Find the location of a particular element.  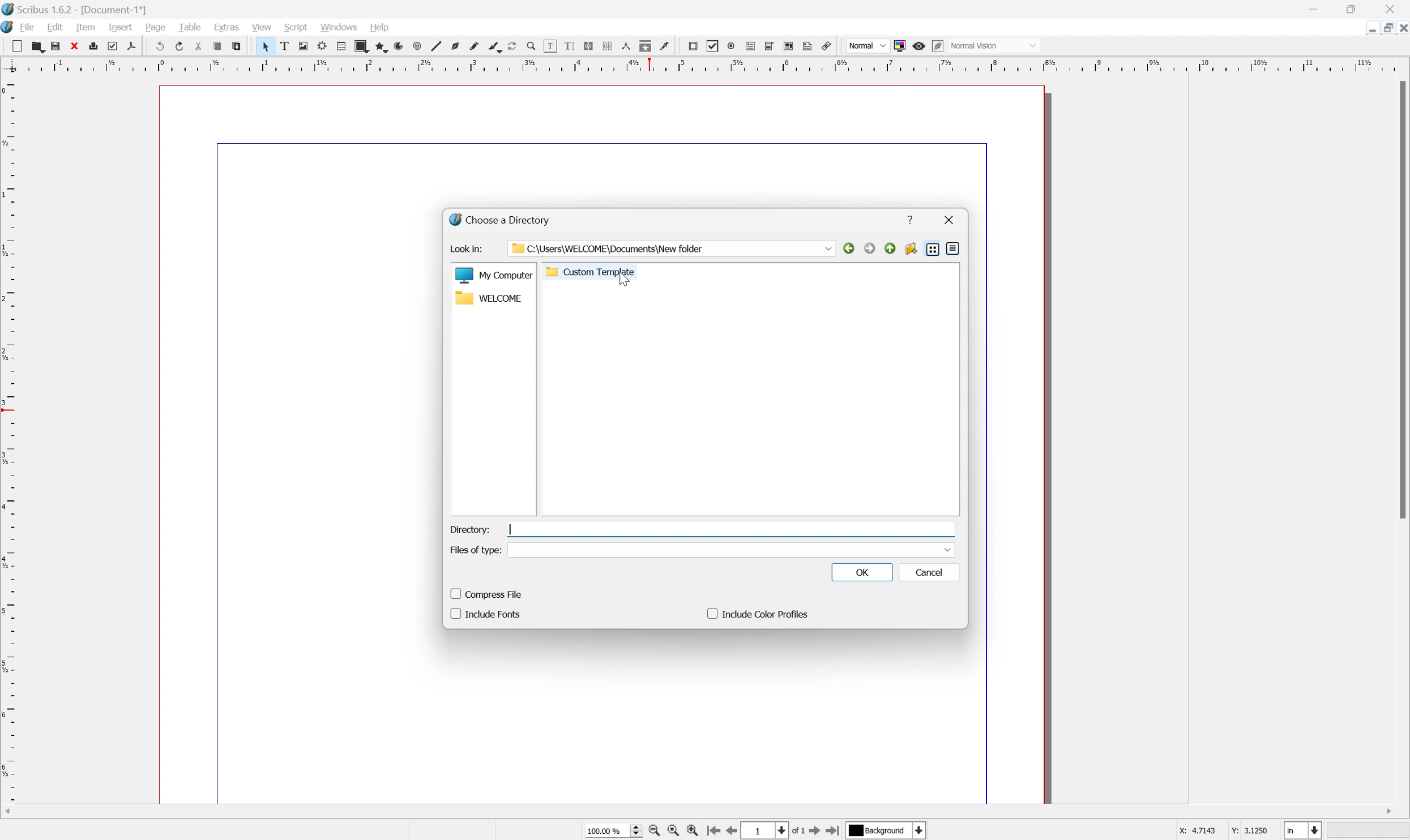

look in: is located at coordinates (465, 248).